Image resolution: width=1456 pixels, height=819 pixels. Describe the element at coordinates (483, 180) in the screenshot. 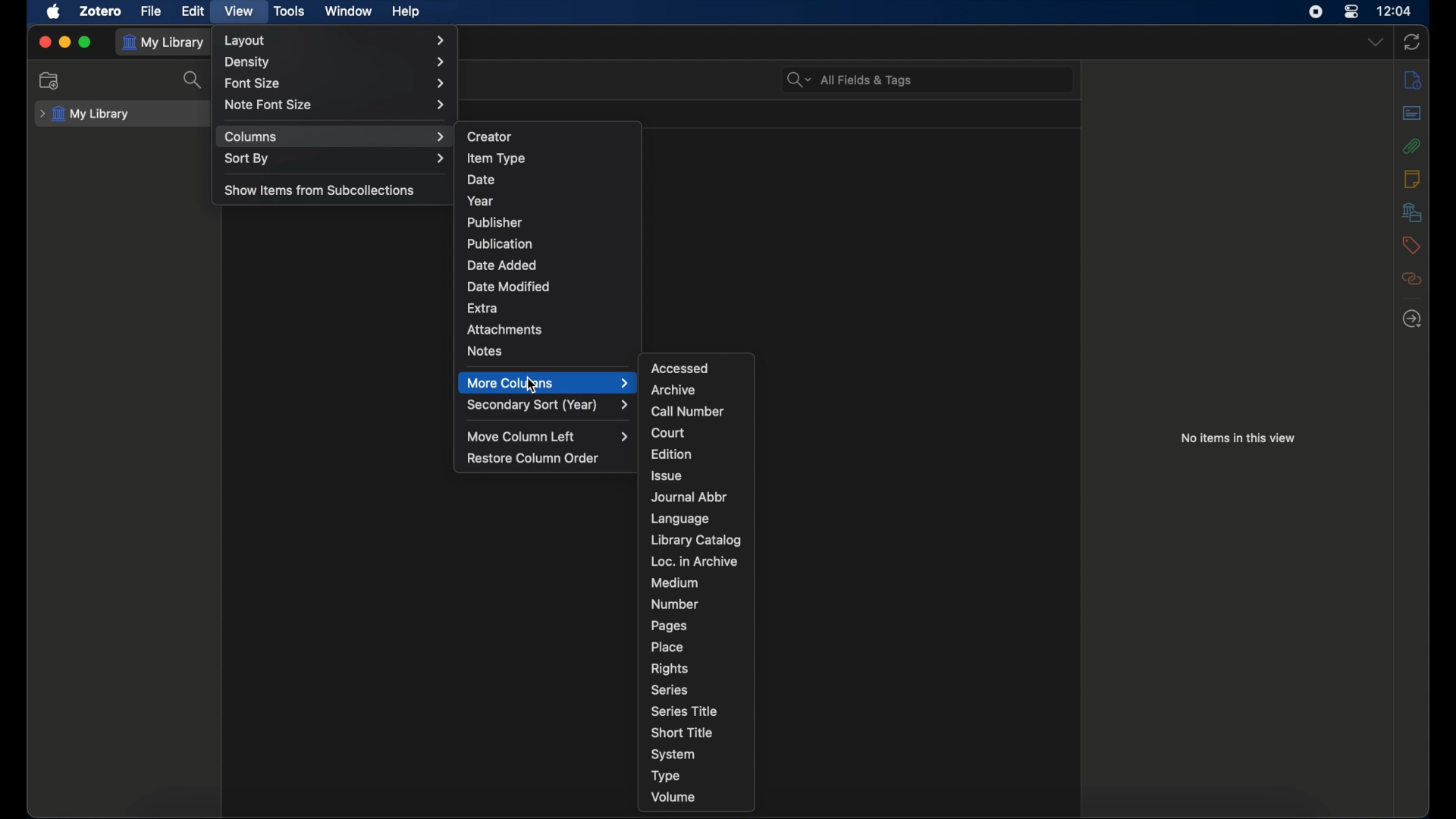

I see `date` at that location.